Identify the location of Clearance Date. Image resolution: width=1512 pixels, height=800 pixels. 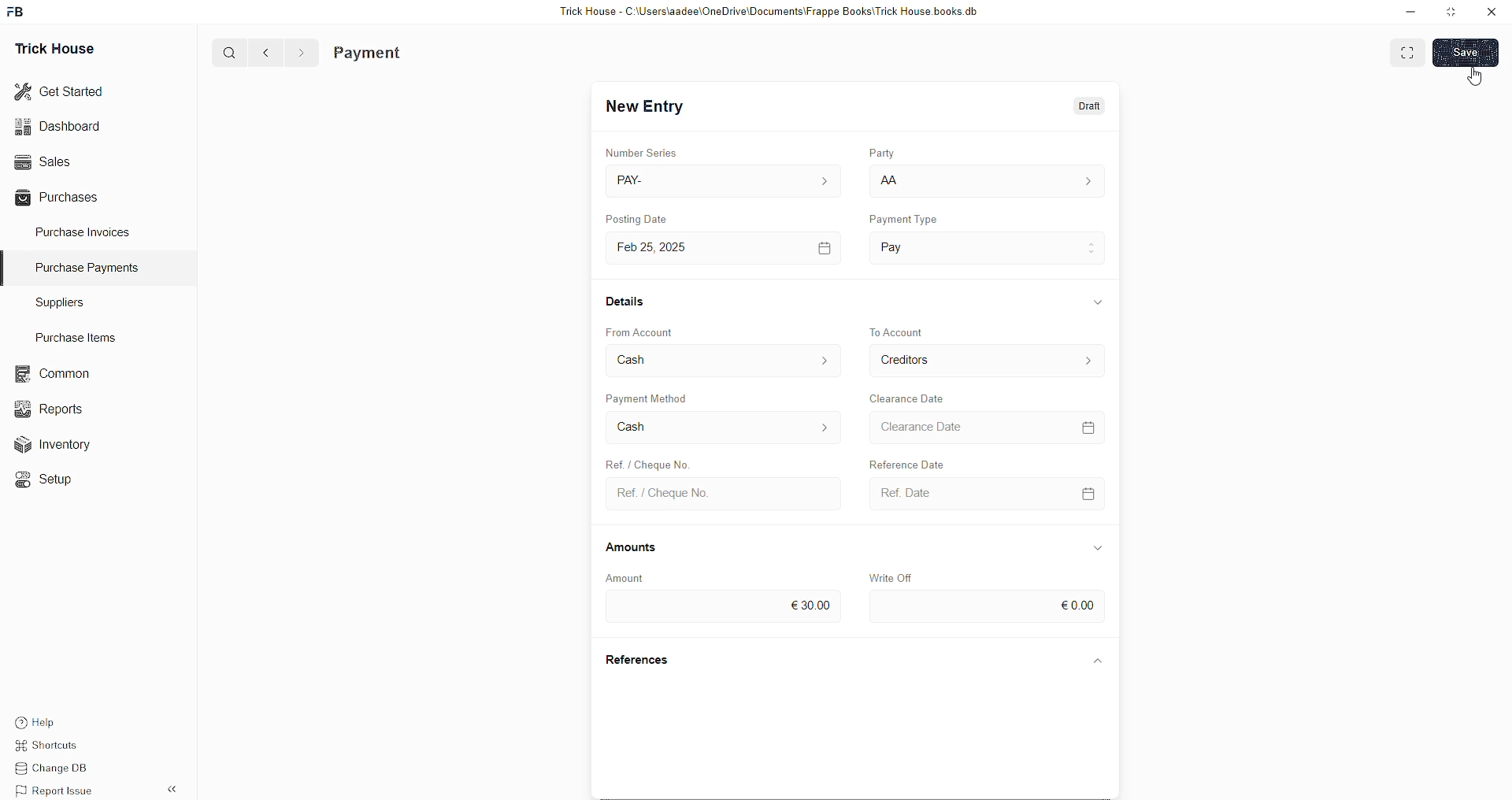
(916, 399).